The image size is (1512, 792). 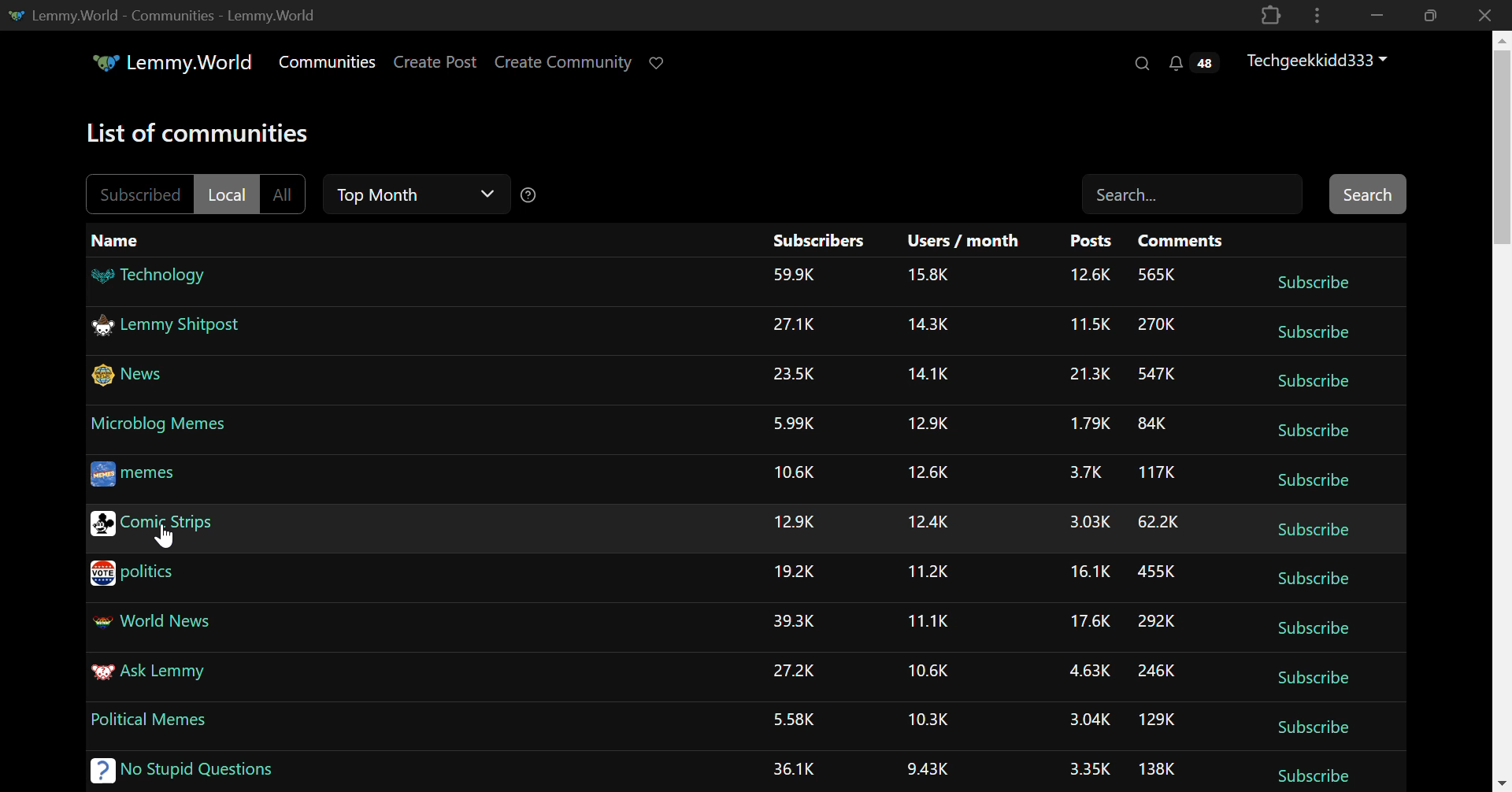 What do you see at coordinates (1181, 241) in the screenshot?
I see `Comments` at bounding box center [1181, 241].